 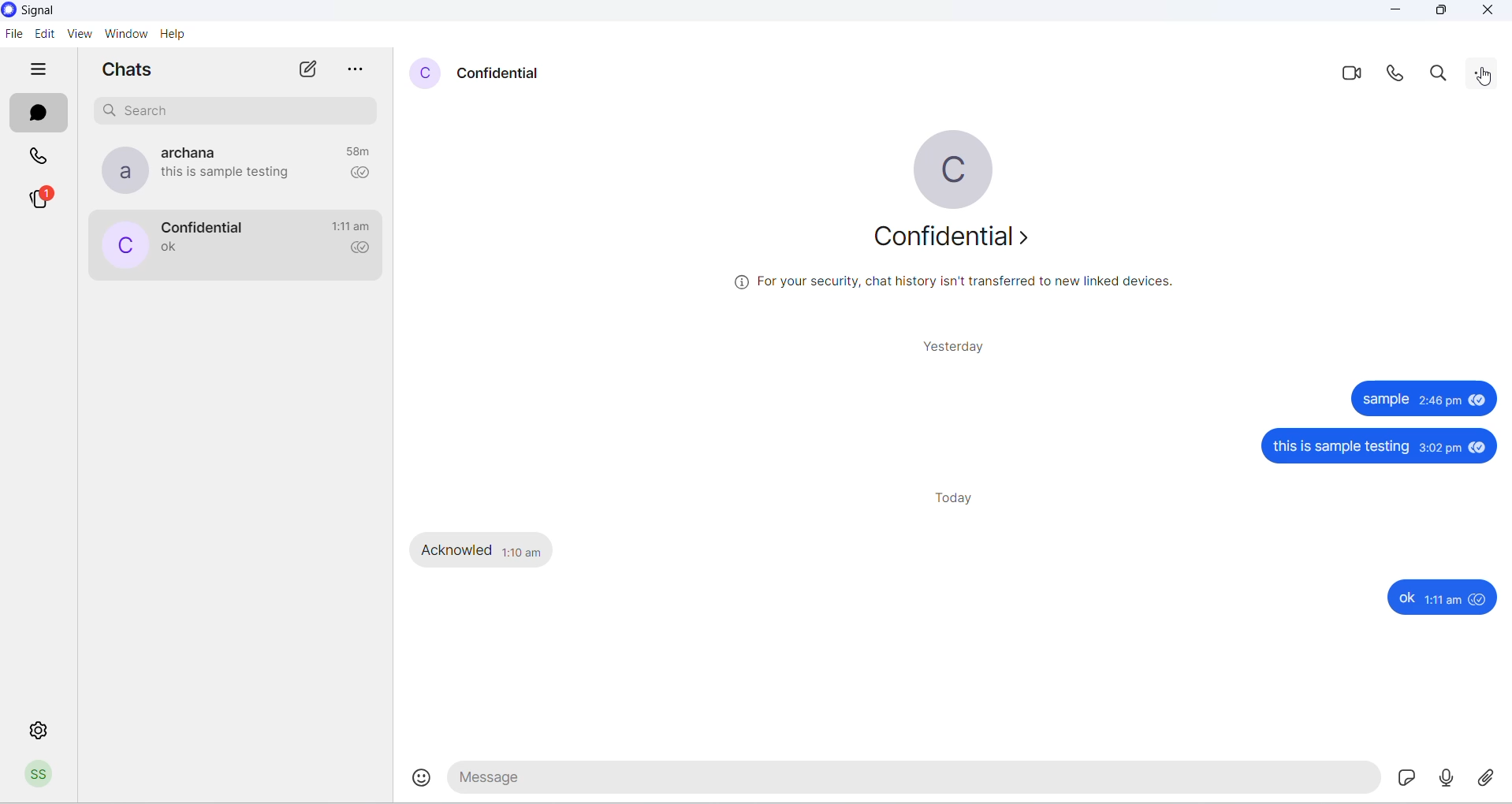 I want to click on settings, so click(x=40, y=730).